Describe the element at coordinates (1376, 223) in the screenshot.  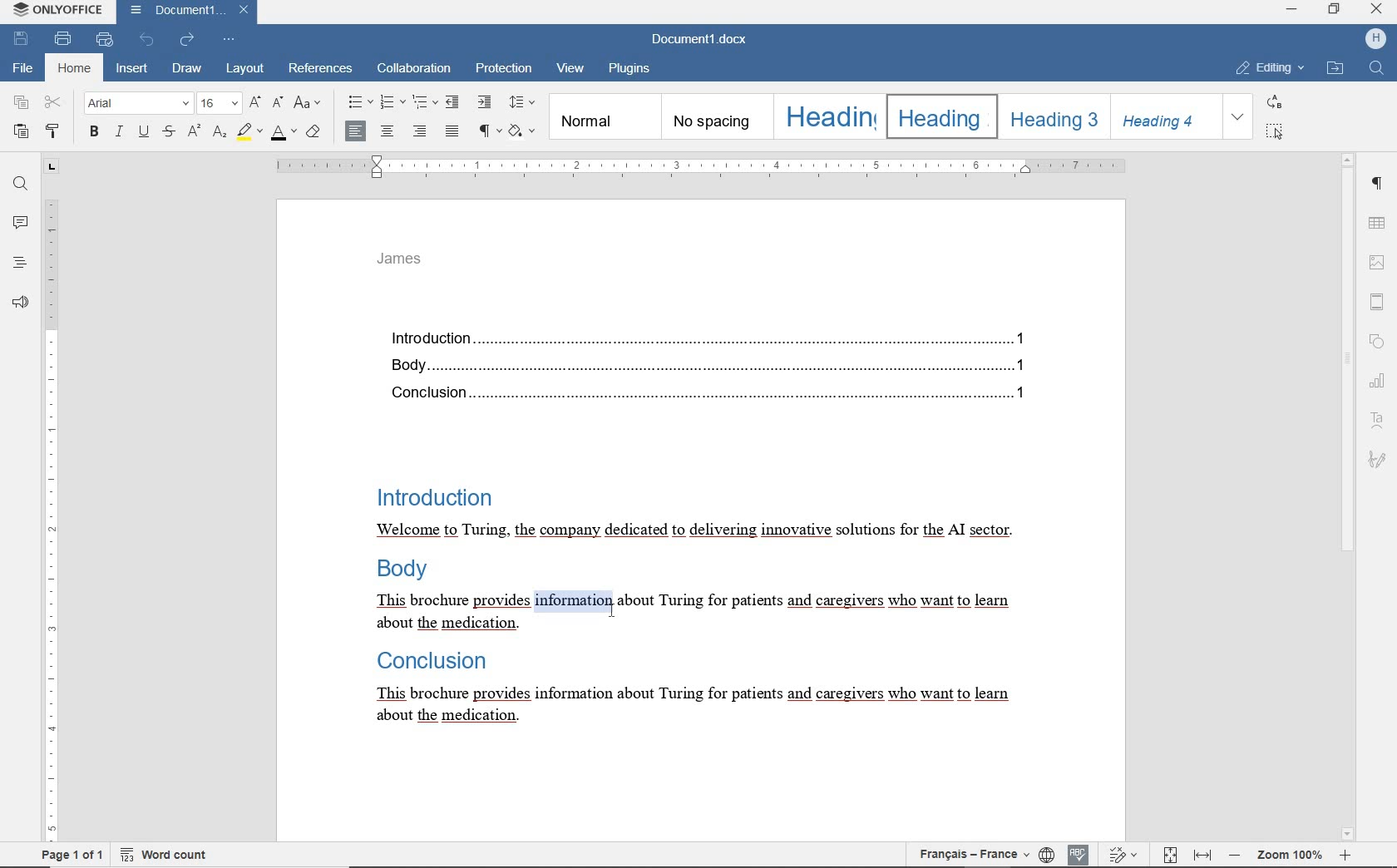
I see `TABLE` at that location.